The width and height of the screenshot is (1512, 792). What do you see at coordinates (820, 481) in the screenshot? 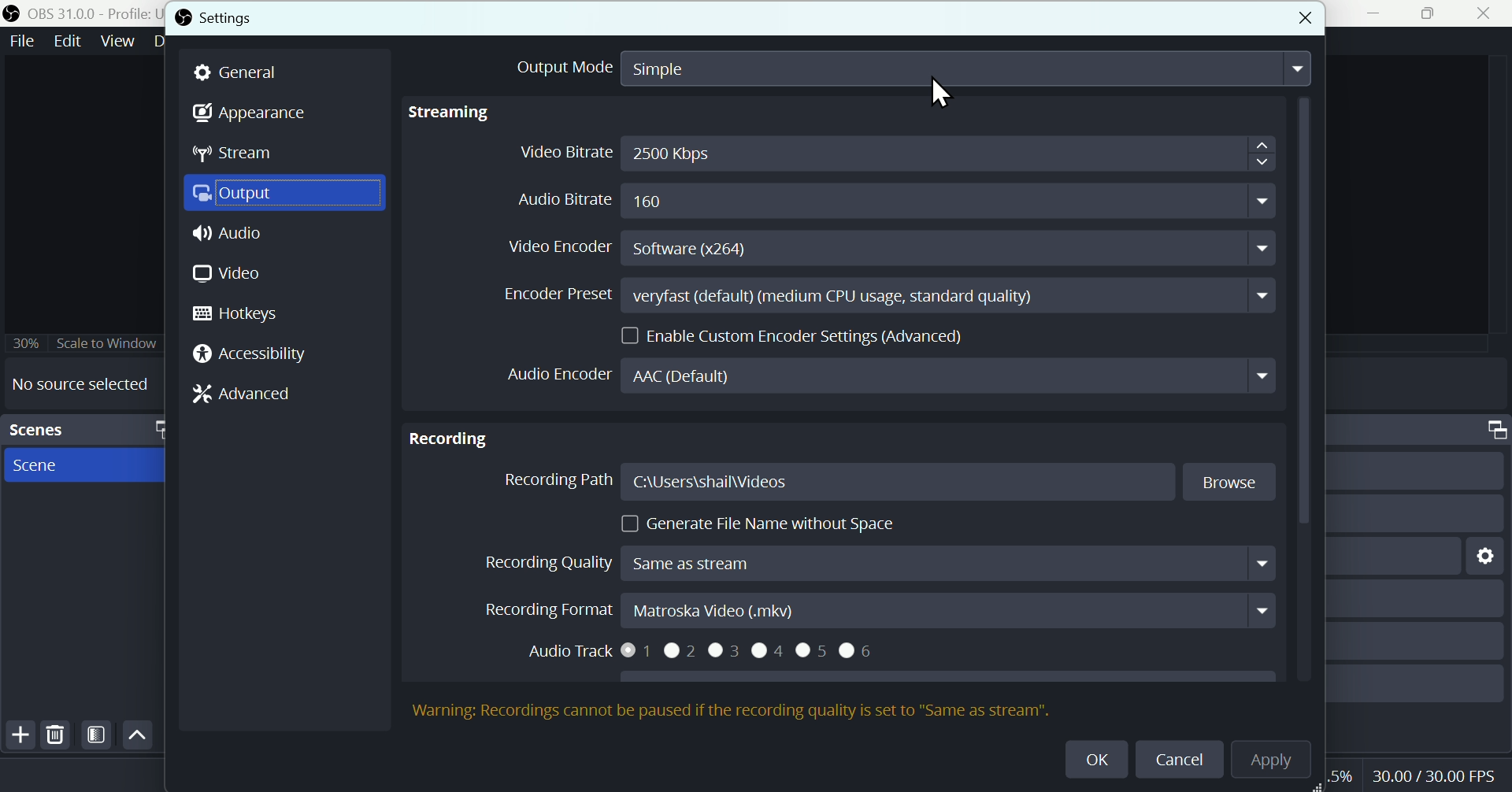
I see `Recording path` at bounding box center [820, 481].